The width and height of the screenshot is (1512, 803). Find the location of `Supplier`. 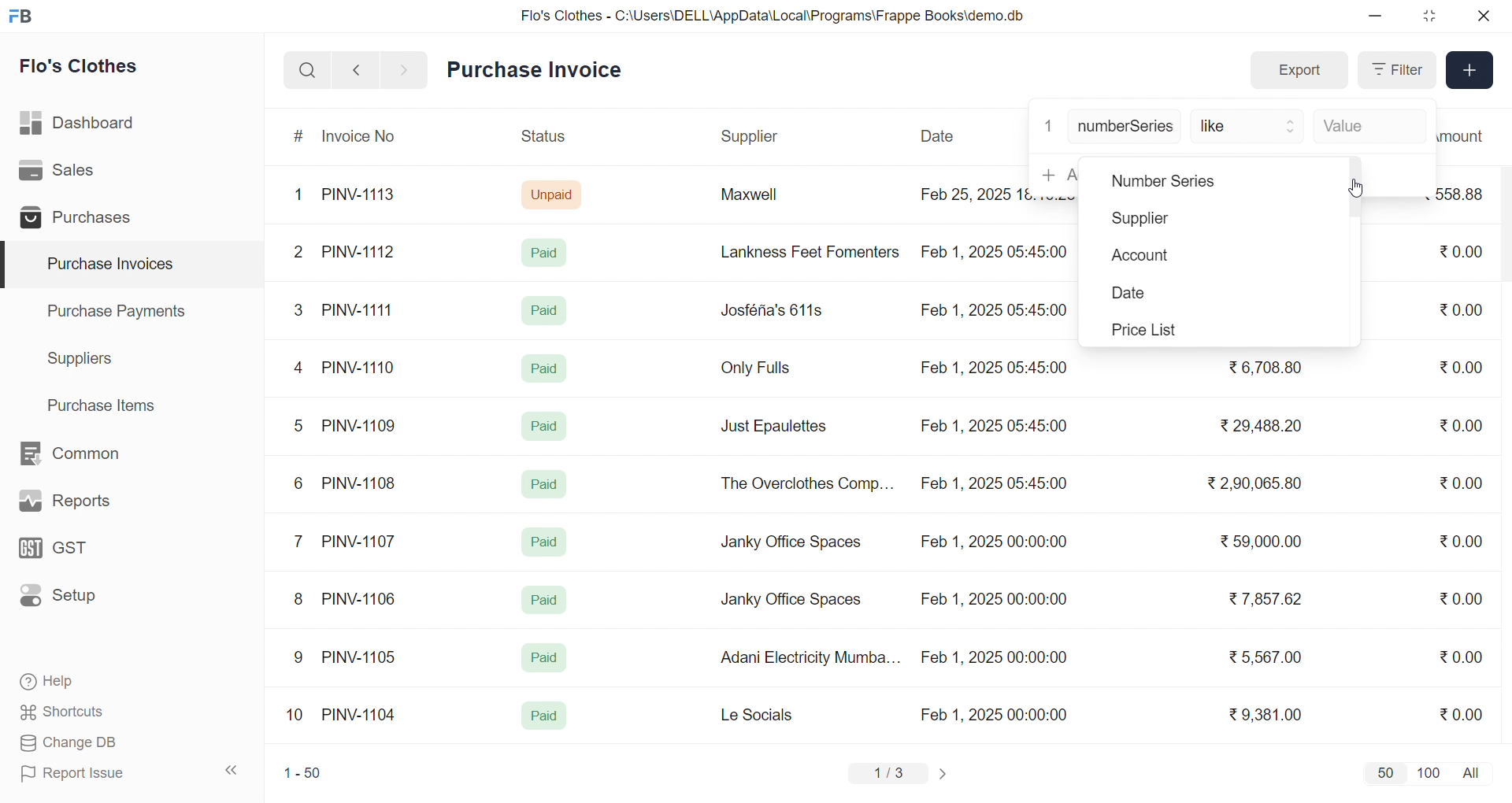

Supplier is located at coordinates (1166, 220).